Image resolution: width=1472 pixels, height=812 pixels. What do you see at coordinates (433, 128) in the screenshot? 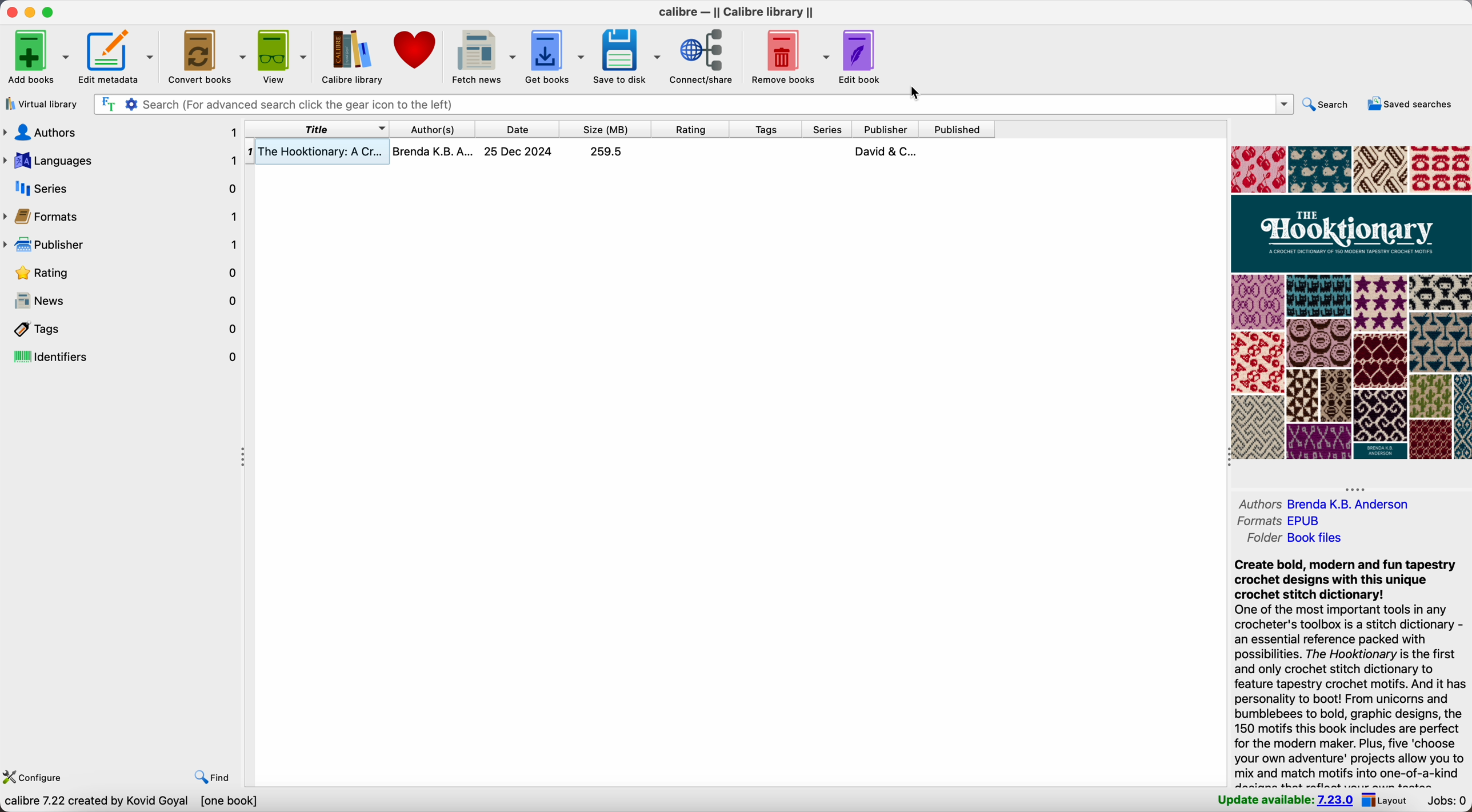
I see `author(s)` at bounding box center [433, 128].